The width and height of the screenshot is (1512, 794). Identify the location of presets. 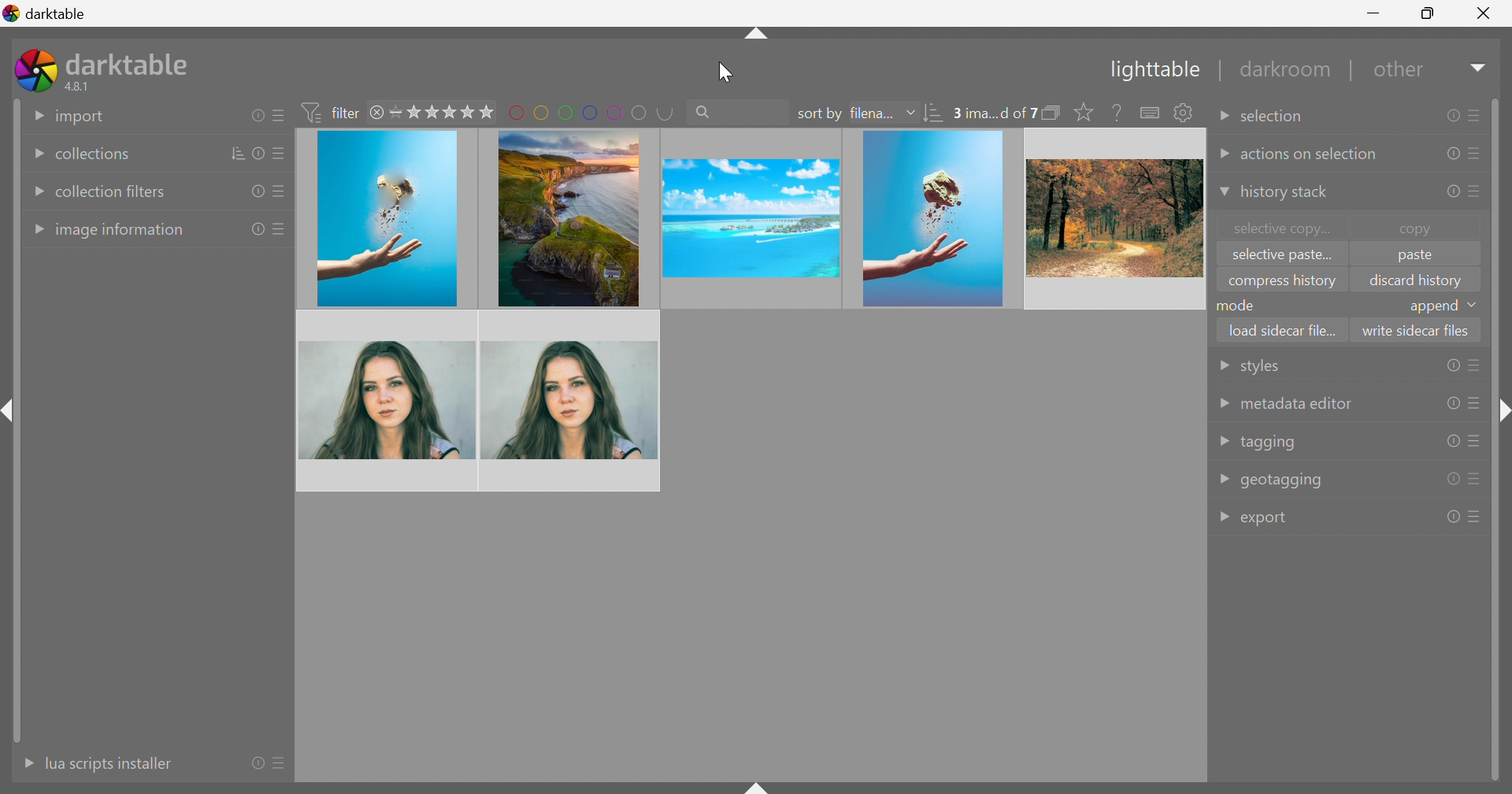
(1478, 153).